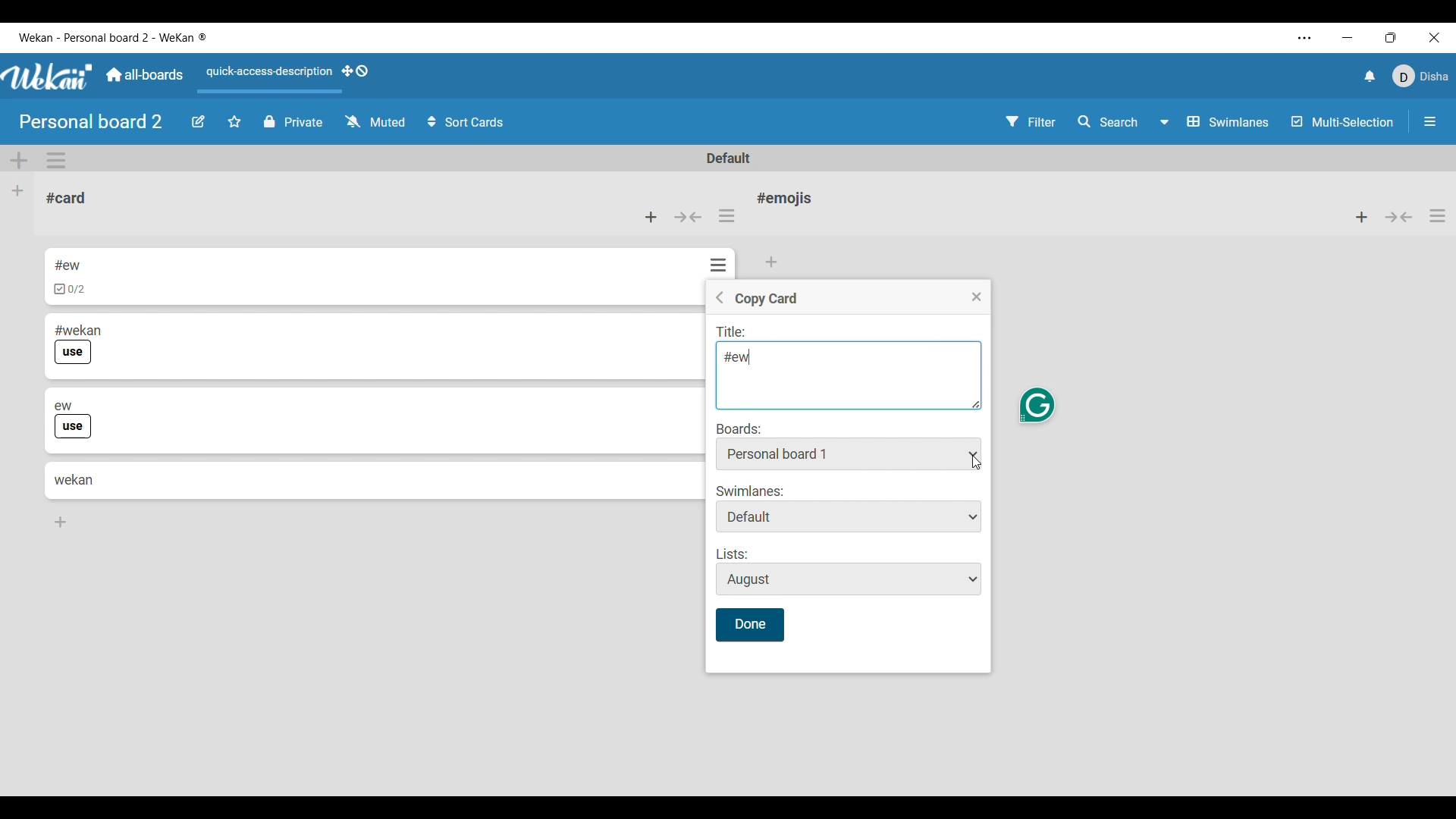 This screenshot has width=1456, height=819. What do you see at coordinates (842, 375) in the screenshot?
I see `Title text space` at bounding box center [842, 375].